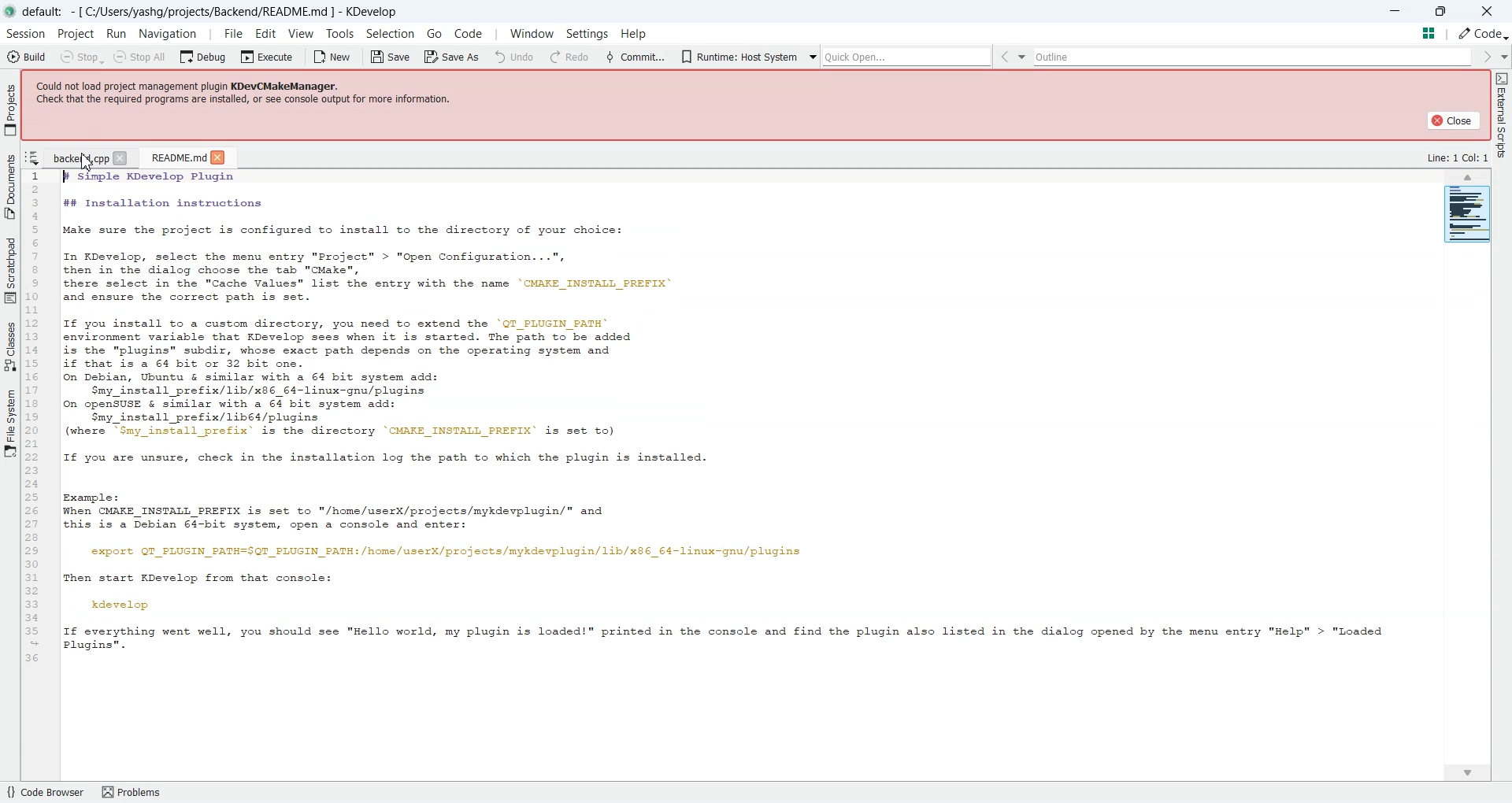 The image size is (1512, 803). Describe the element at coordinates (791, 57) in the screenshot. I see `Drop down box` at that location.